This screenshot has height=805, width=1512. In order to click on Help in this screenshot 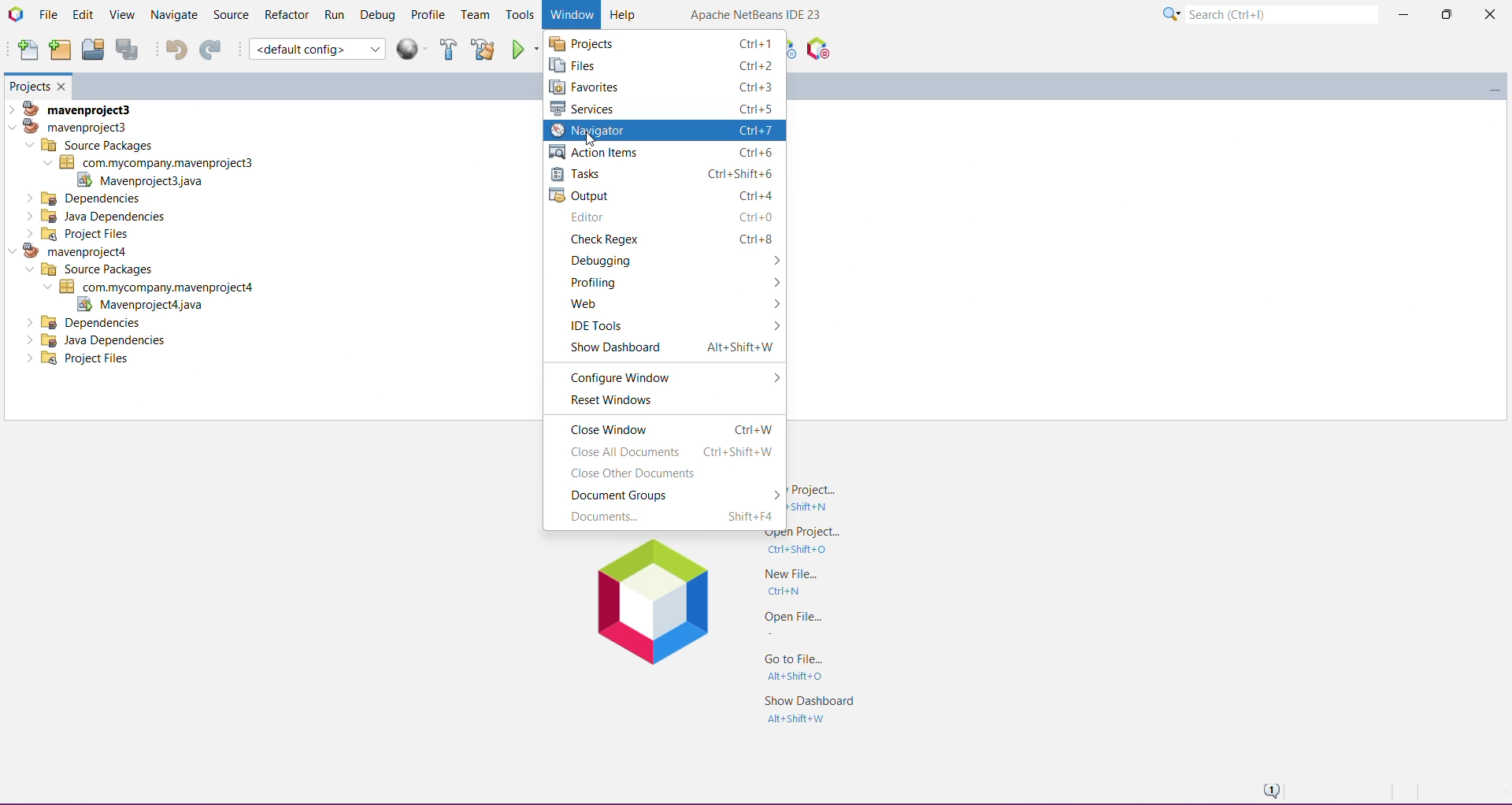, I will do `click(624, 13)`.